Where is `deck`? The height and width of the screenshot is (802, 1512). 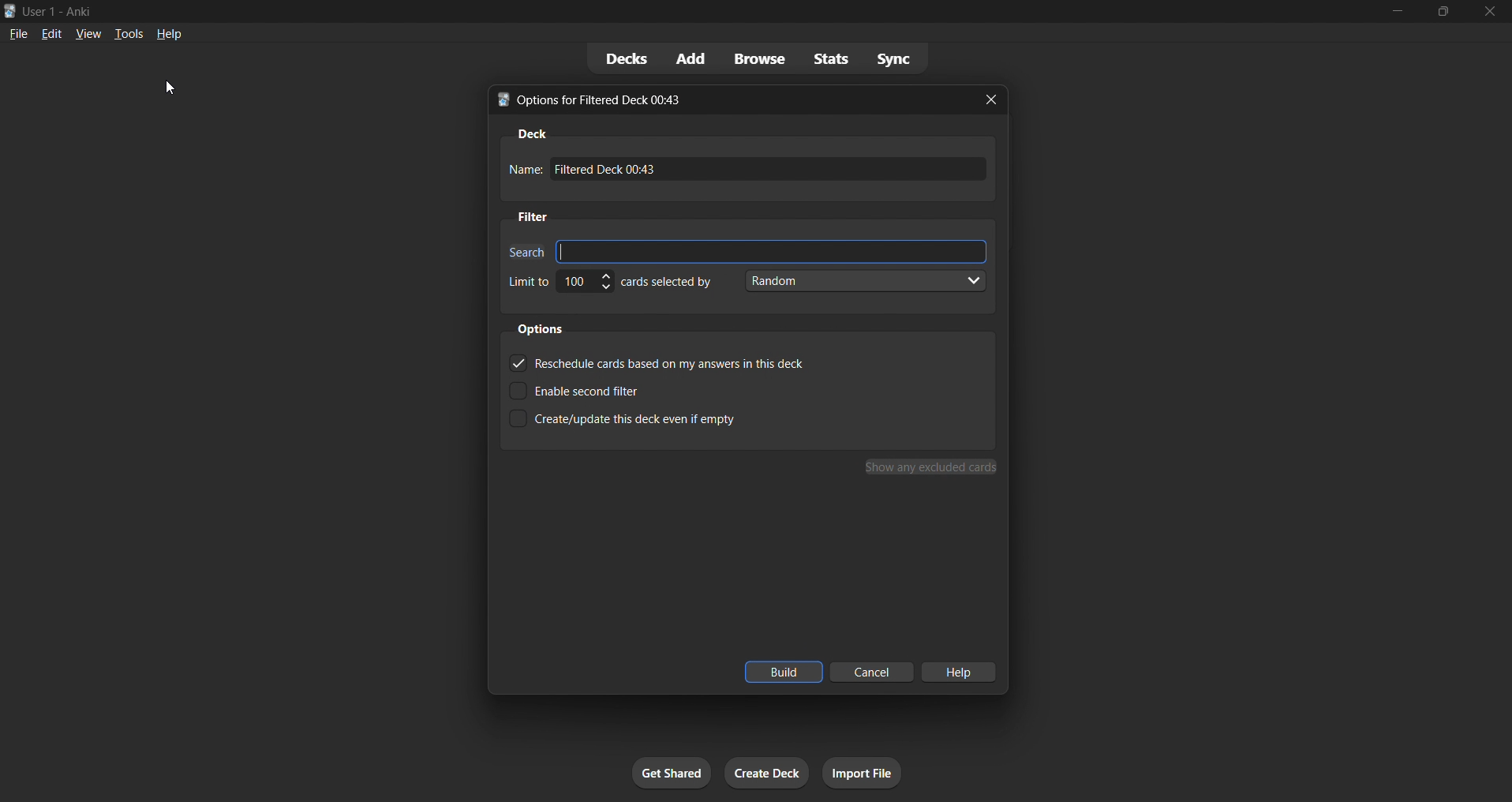
deck is located at coordinates (530, 131).